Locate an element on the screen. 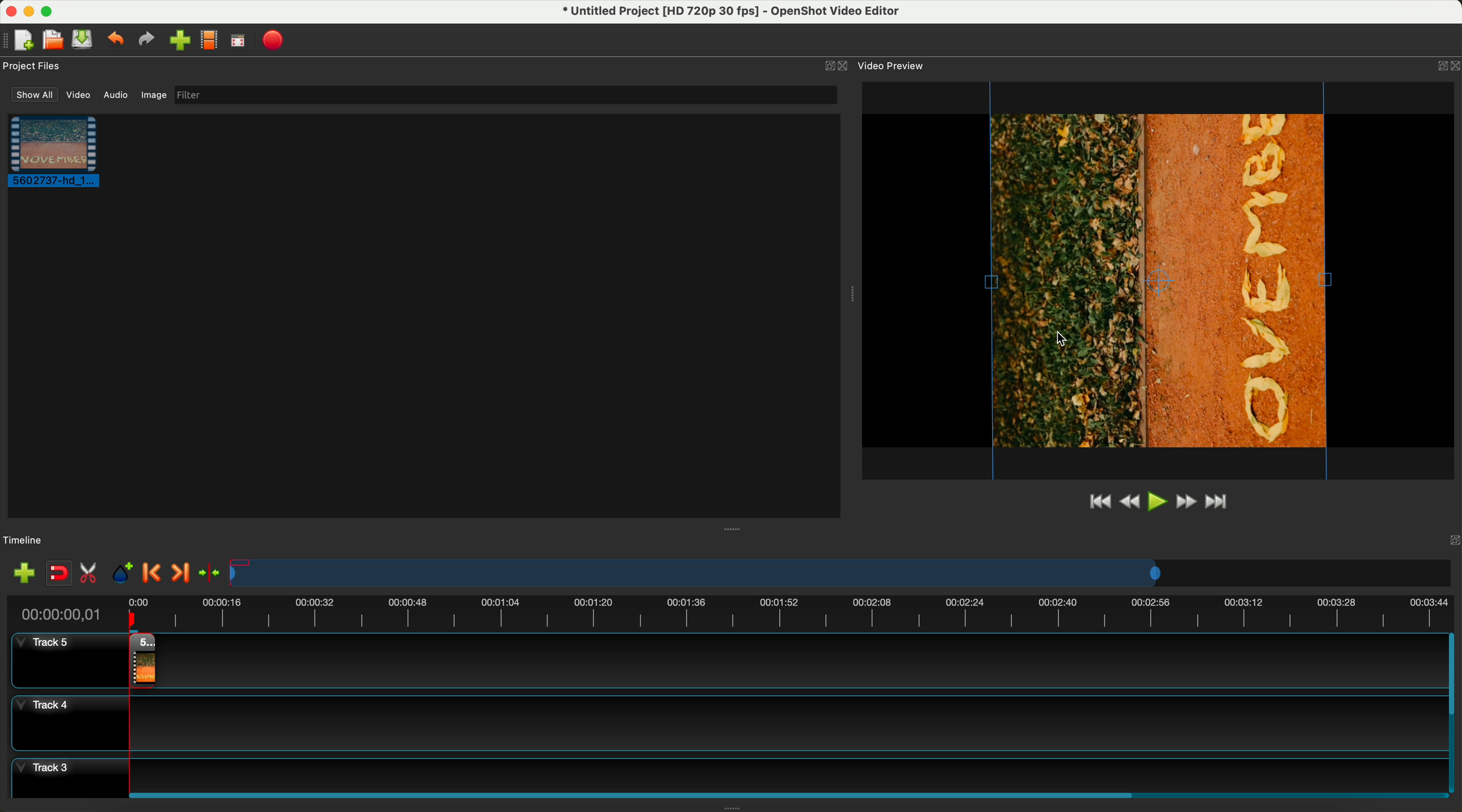 This screenshot has width=1462, height=812. scroll bar is located at coordinates (785, 793).